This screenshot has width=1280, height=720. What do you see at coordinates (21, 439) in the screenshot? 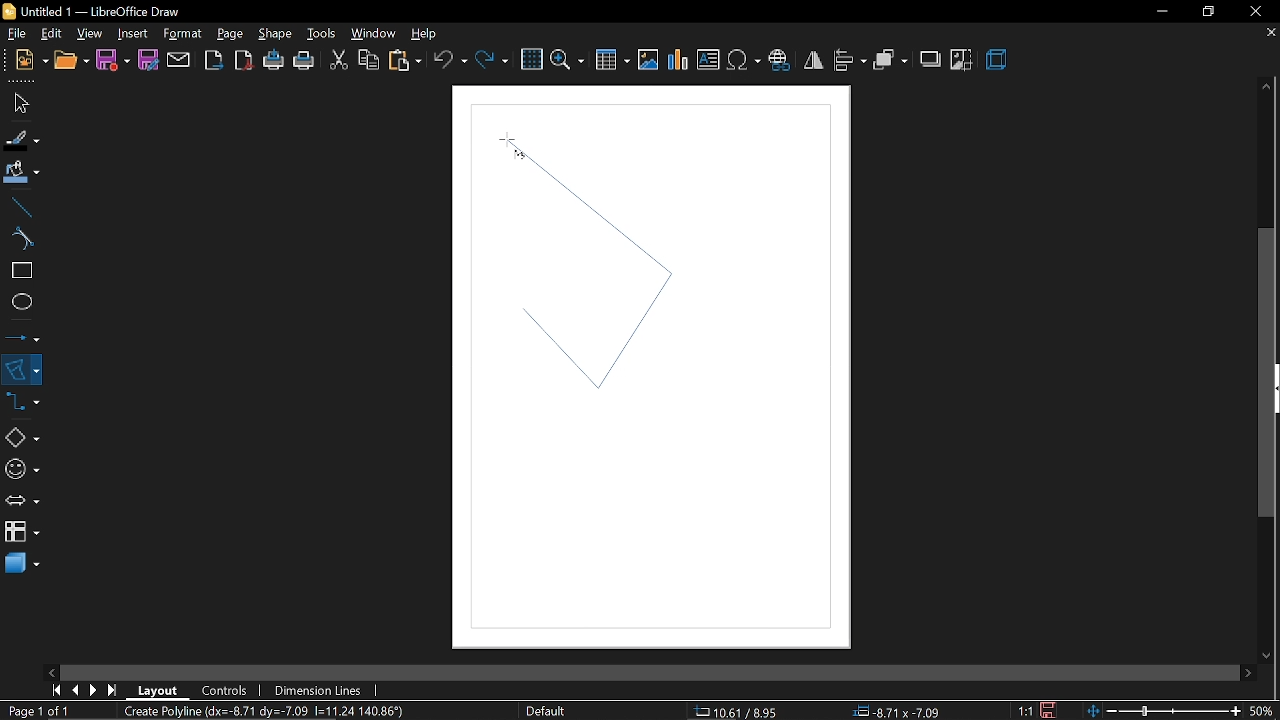
I see `basic shapes` at bounding box center [21, 439].